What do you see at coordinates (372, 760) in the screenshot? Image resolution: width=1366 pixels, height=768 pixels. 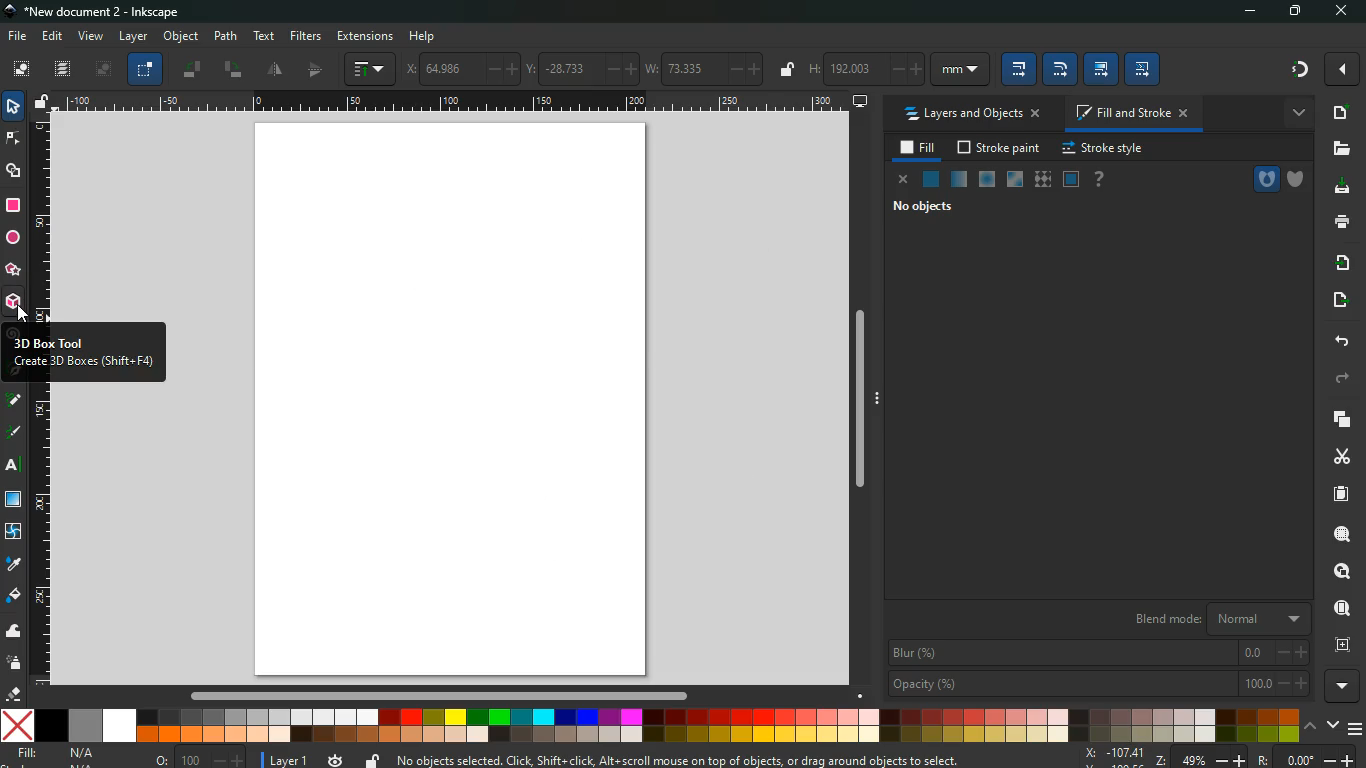 I see `unlock` at bounding box center [372, 760].